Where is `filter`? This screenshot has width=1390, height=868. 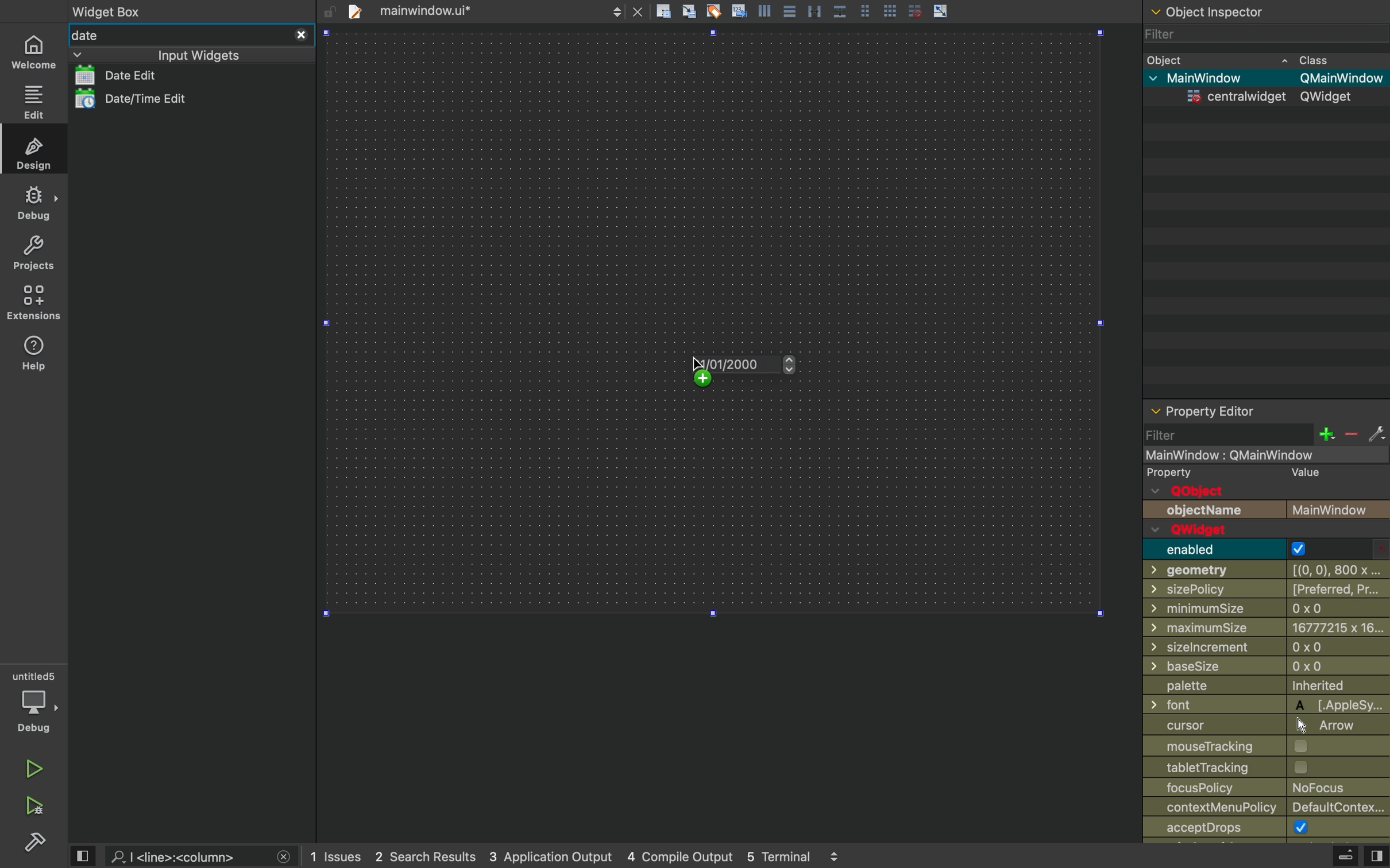
filter is located at coordinates (1226, 434).